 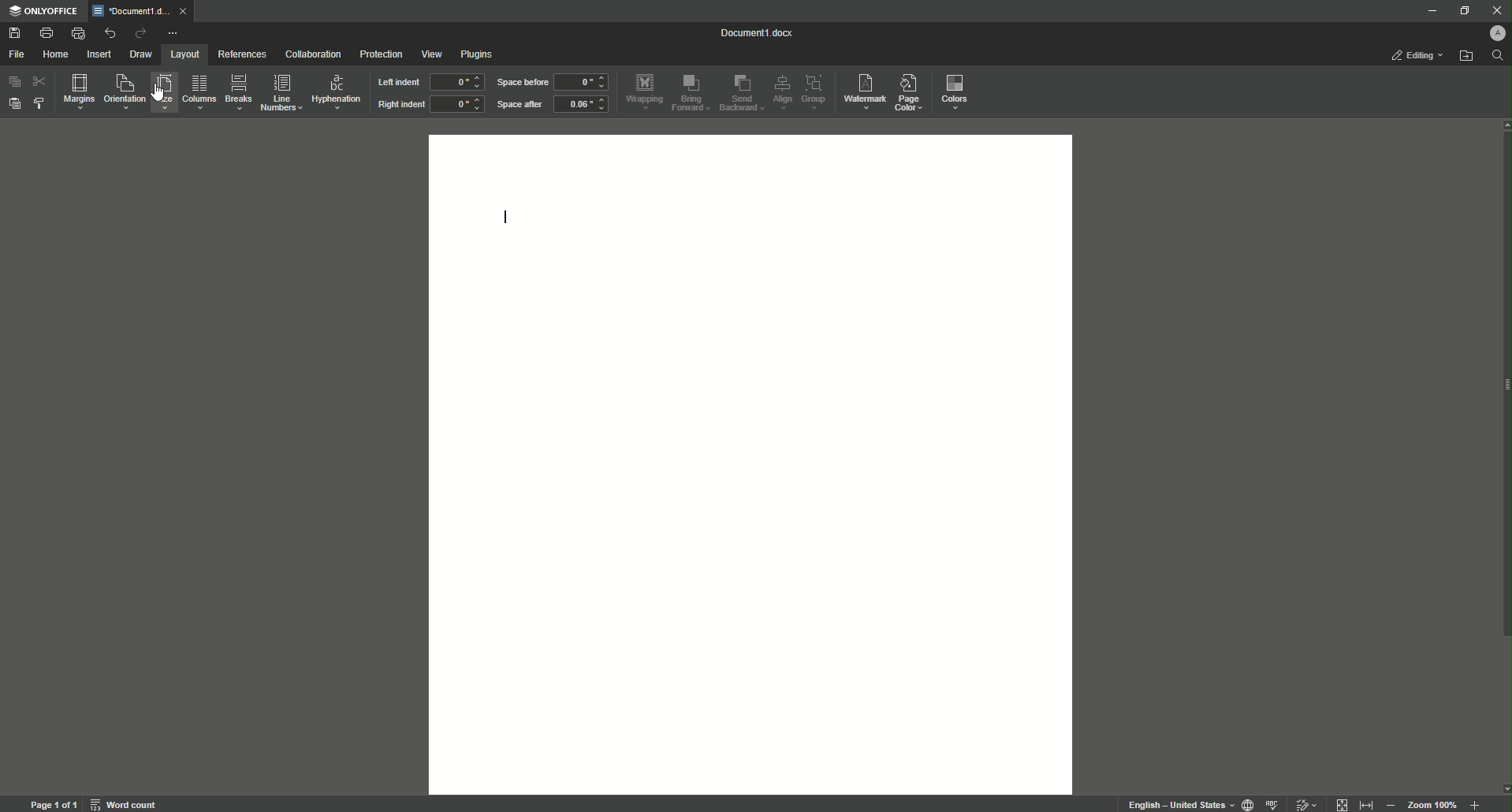 What do you see at coordinates (181, 54) in the screenshot?
I see `Layout` at bounding box center [181, 54].